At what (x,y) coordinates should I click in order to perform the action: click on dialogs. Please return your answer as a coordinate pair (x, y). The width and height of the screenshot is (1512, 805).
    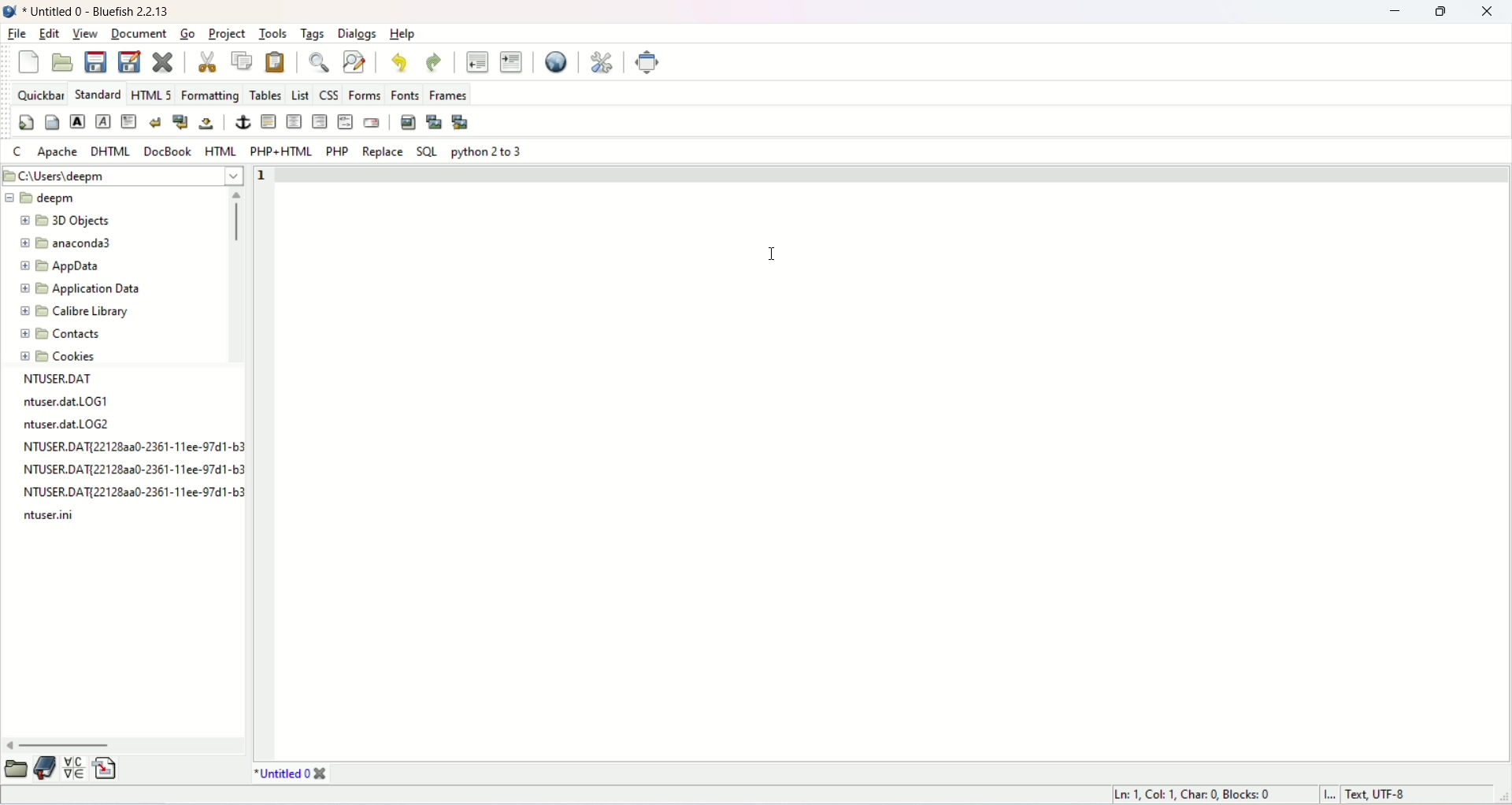
    Looking at the image, I should click on (356, 34).